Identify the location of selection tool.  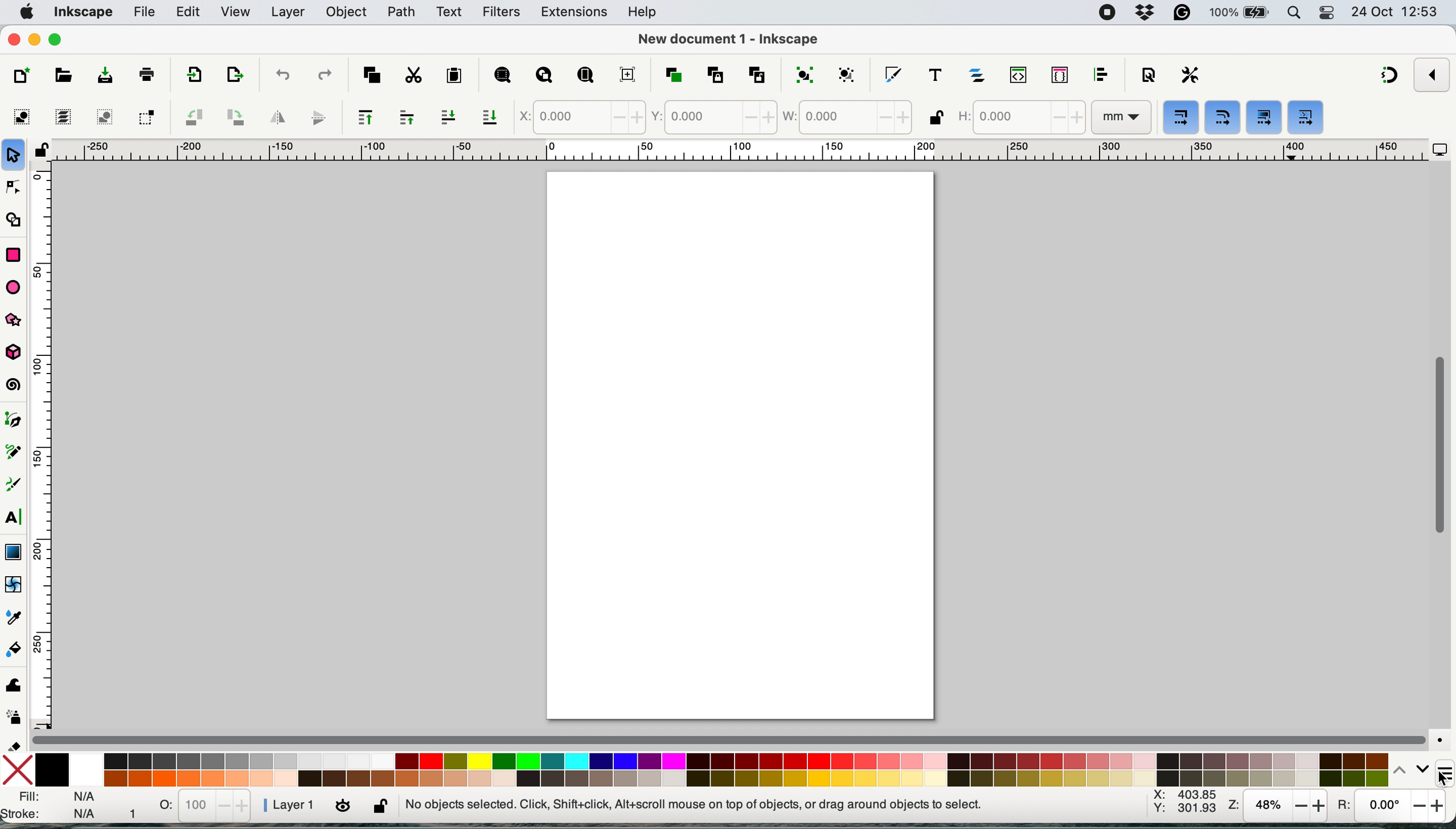
(15, 154).